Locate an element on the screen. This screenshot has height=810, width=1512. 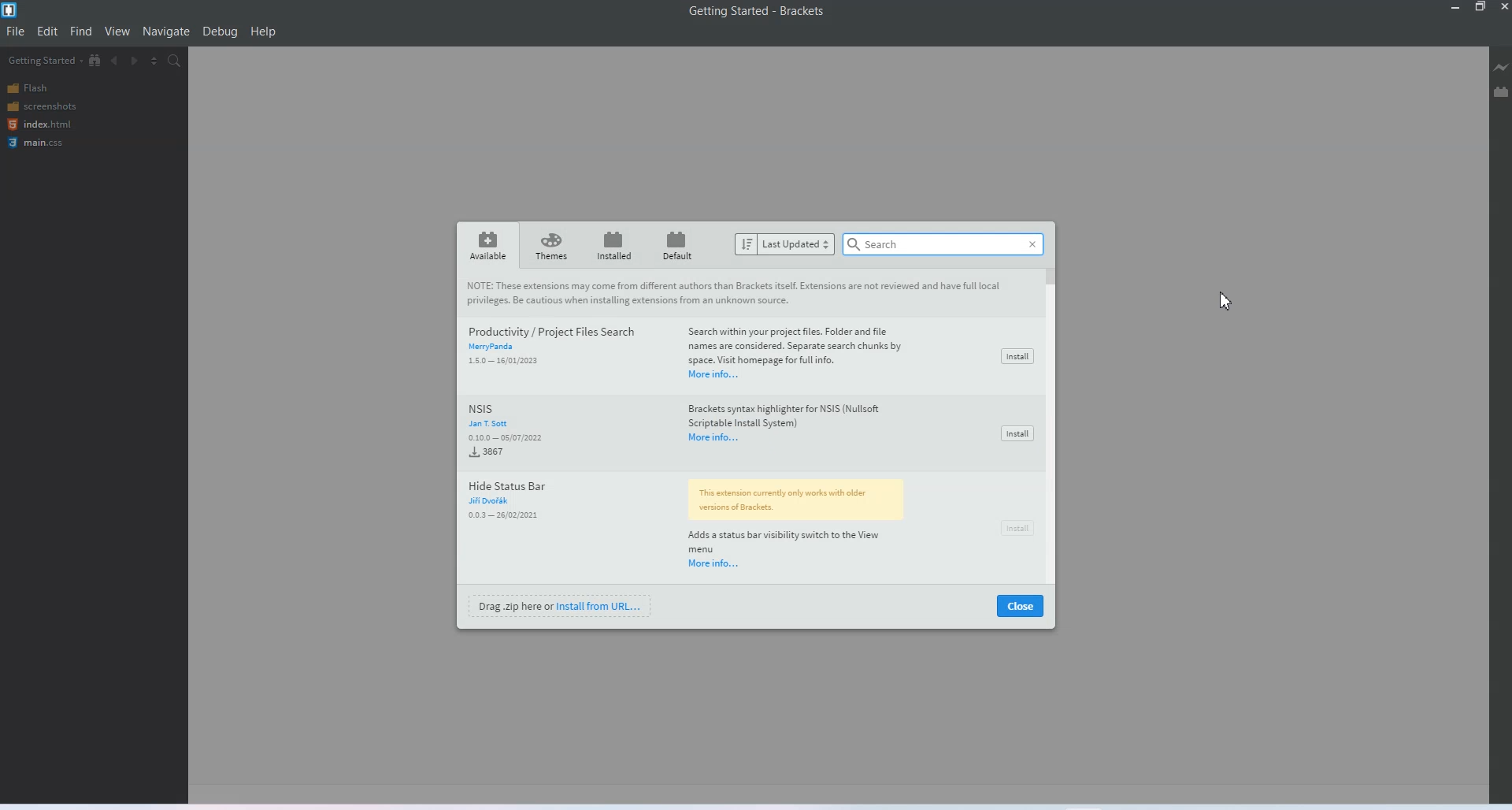
Close is located at coordinates (1503, 8).